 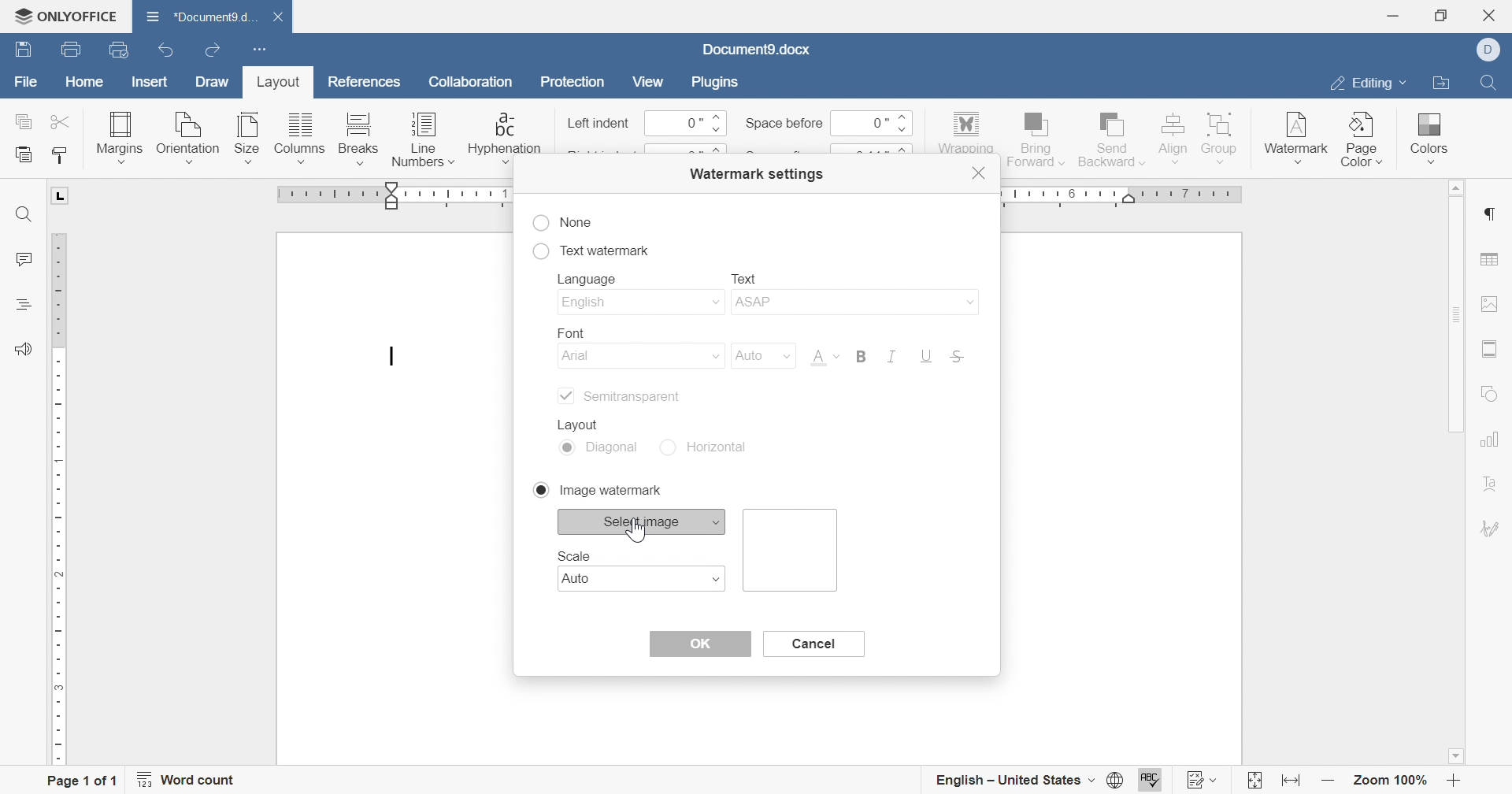 I want to click on watermark settings, so click(x=754, y=173).